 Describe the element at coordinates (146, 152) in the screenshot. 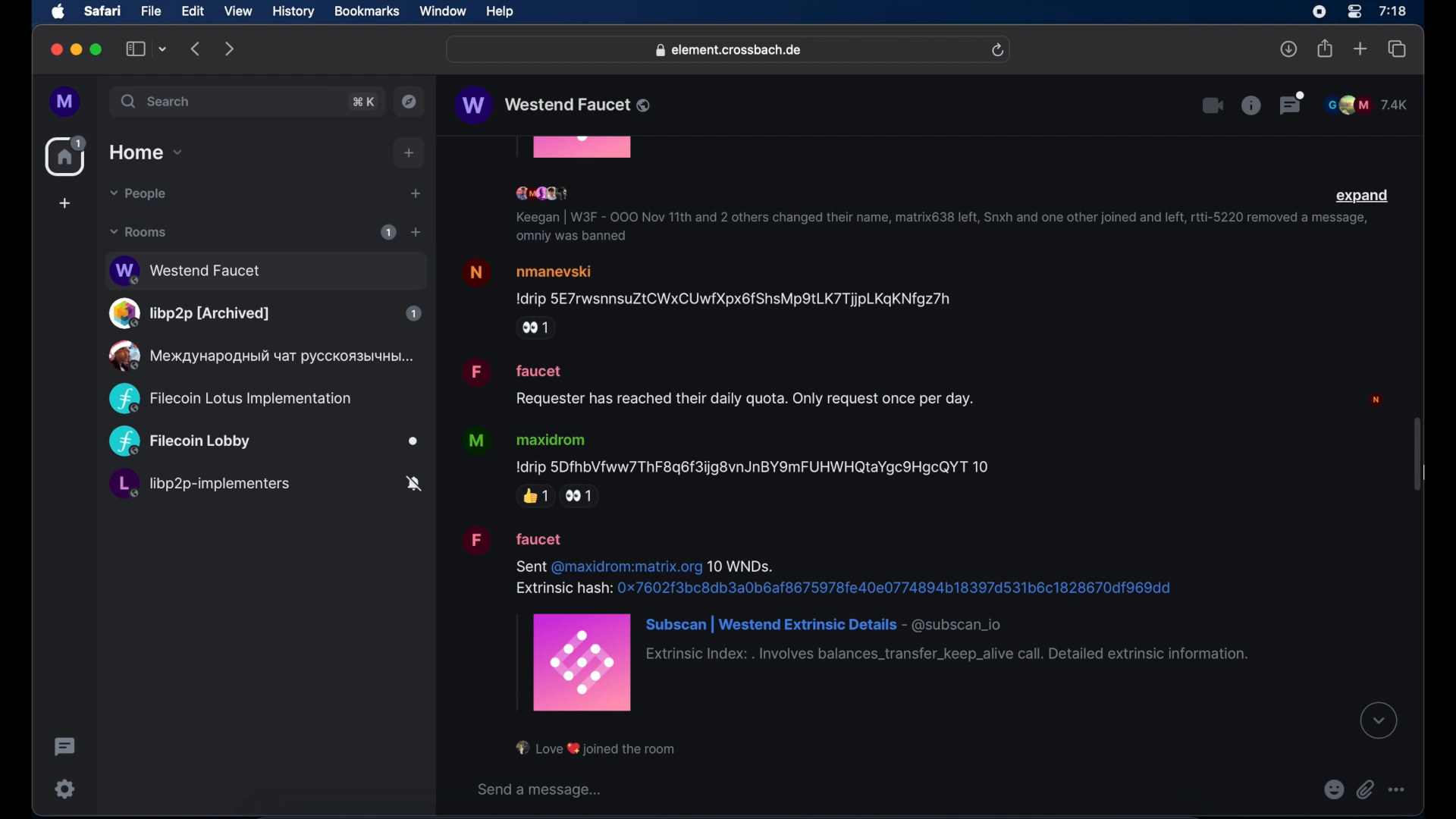

I see `home dropdown` at that location.